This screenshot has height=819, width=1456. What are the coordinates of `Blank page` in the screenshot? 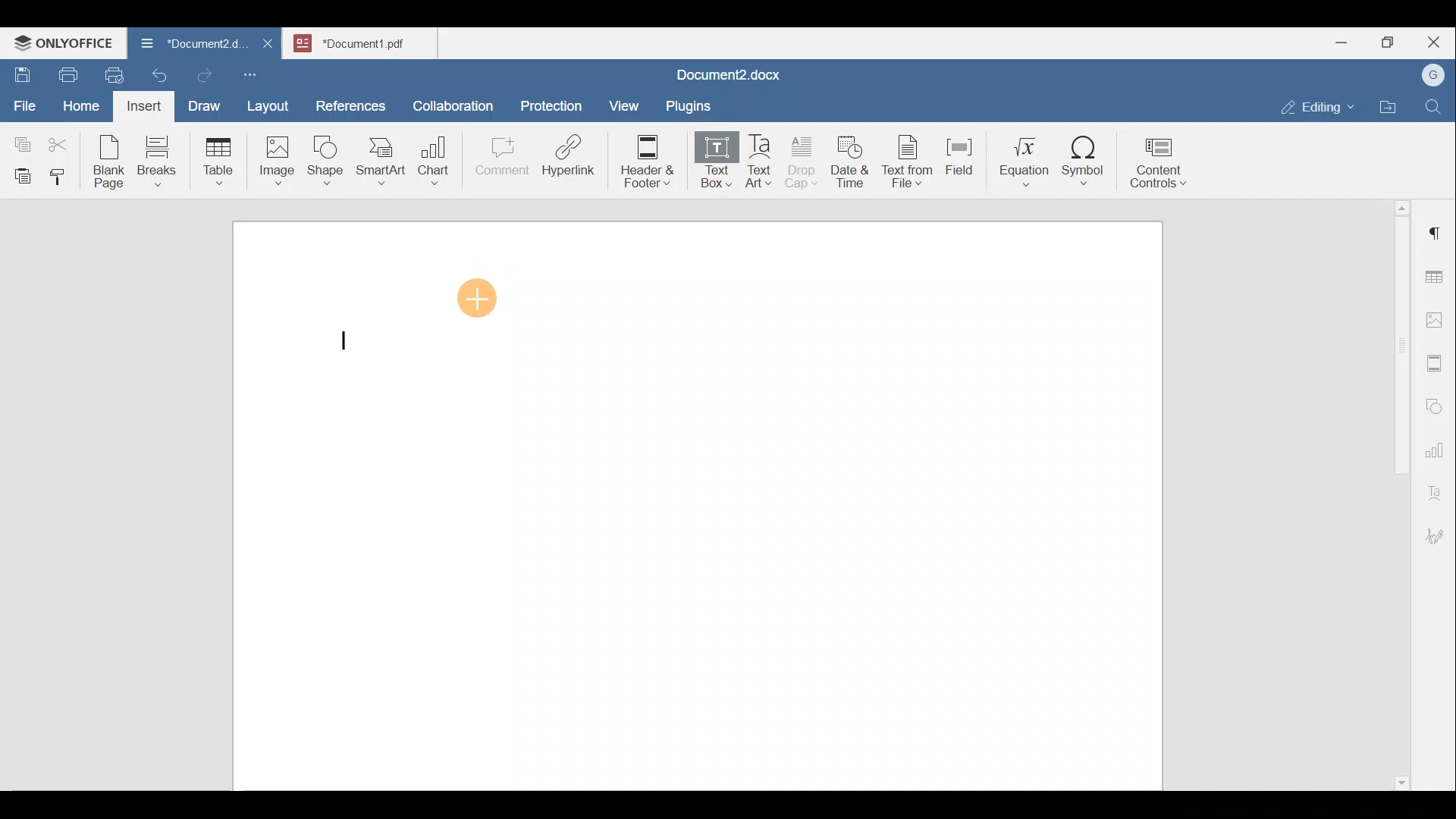 It's located at (111, 162).